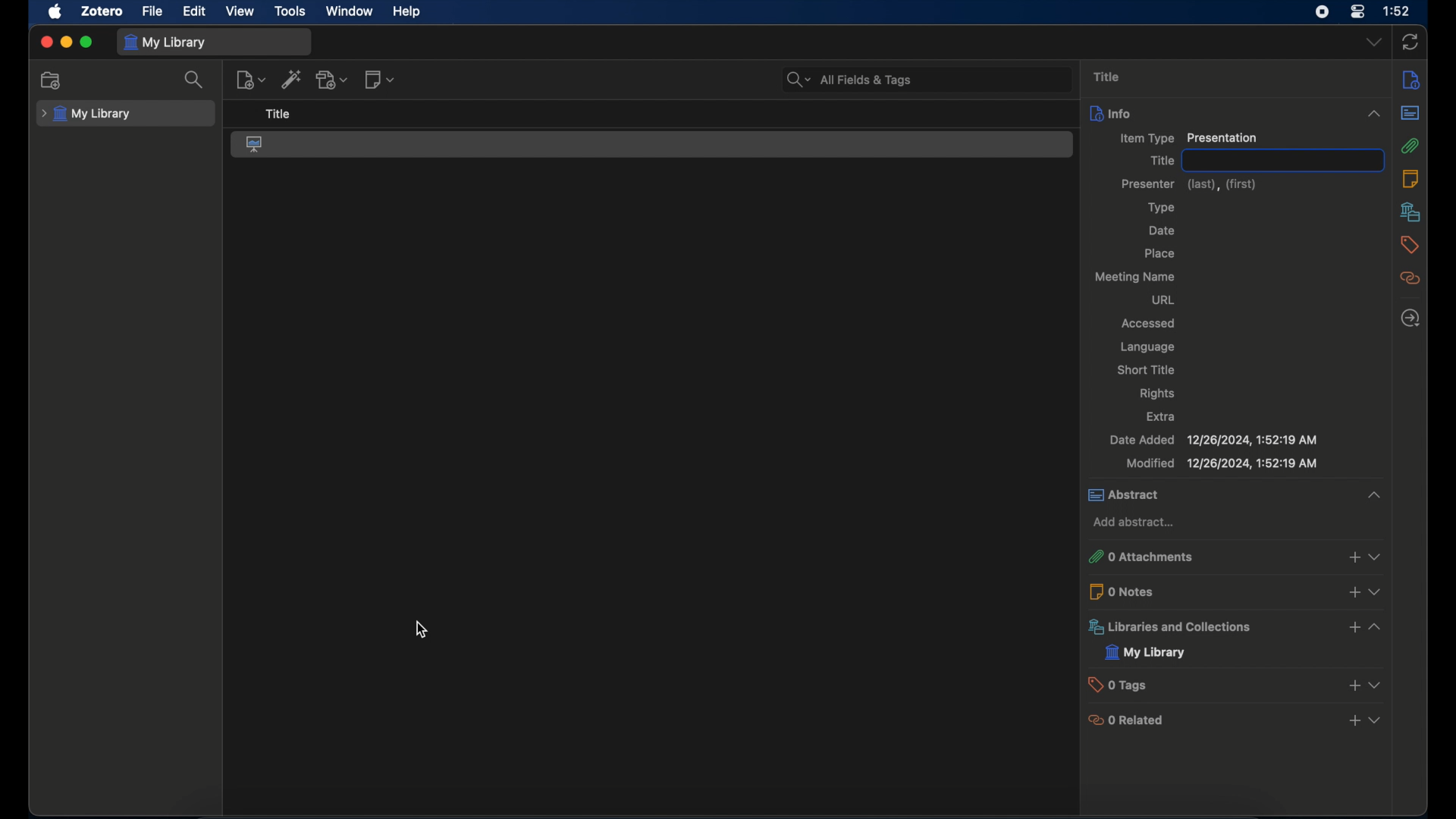 This screenshot has height=819, width=1456. I want to click on short title, so click(1150, 371).